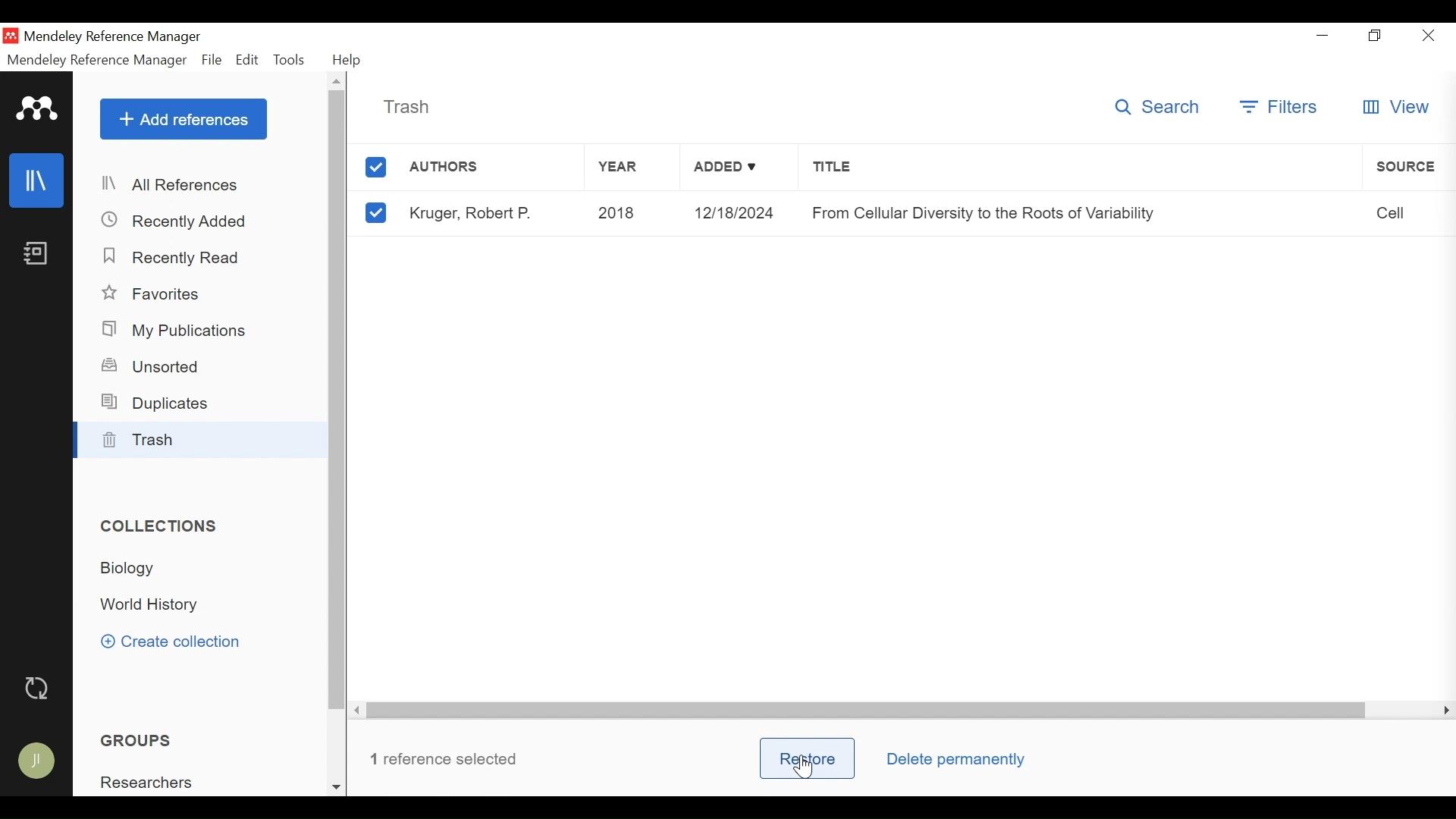  I want to click on Scroll Right, so click(358, 711).